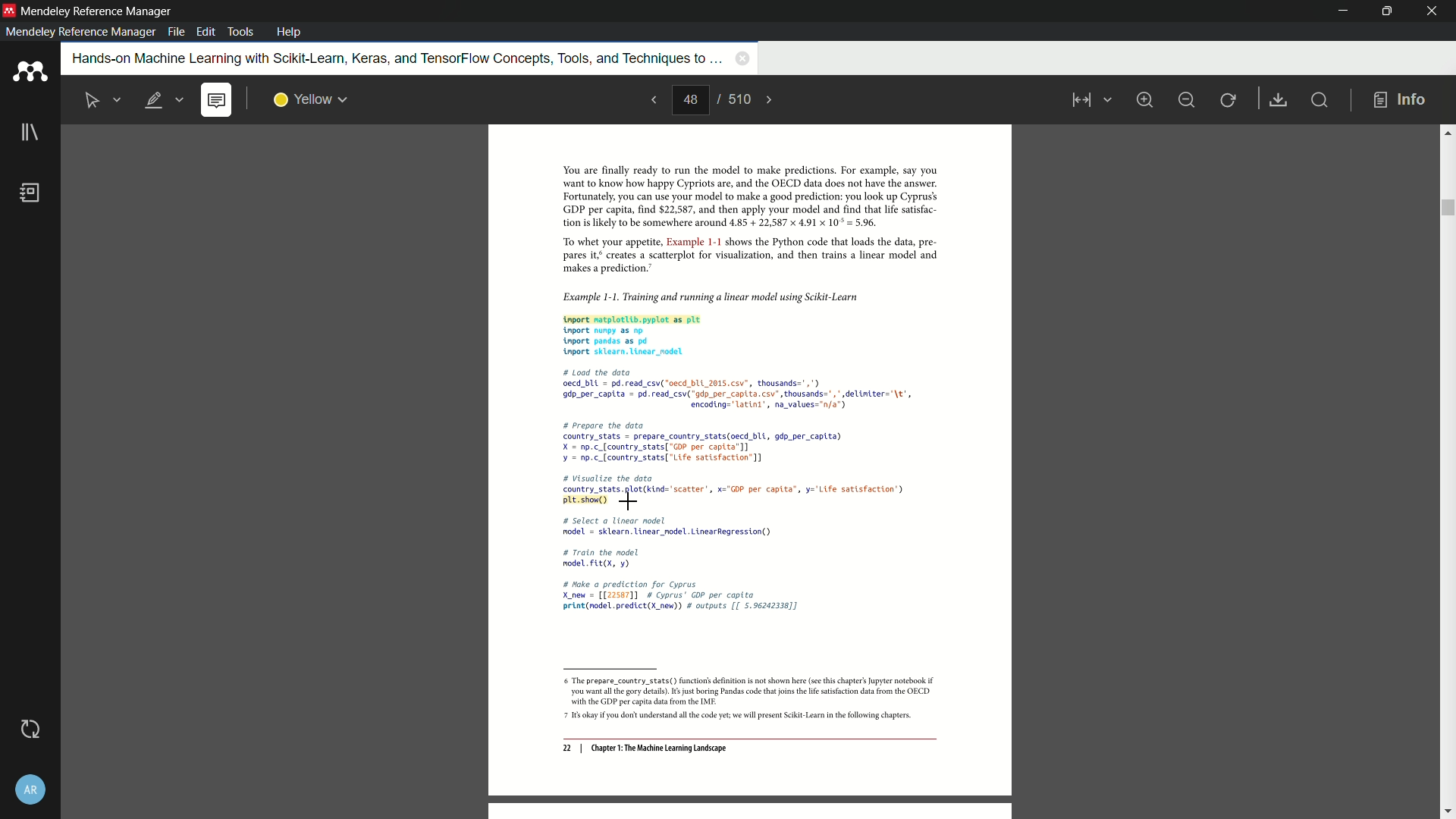 This screenshot has width=1456, height=819. I want to click on previous page, so click(652, 99).